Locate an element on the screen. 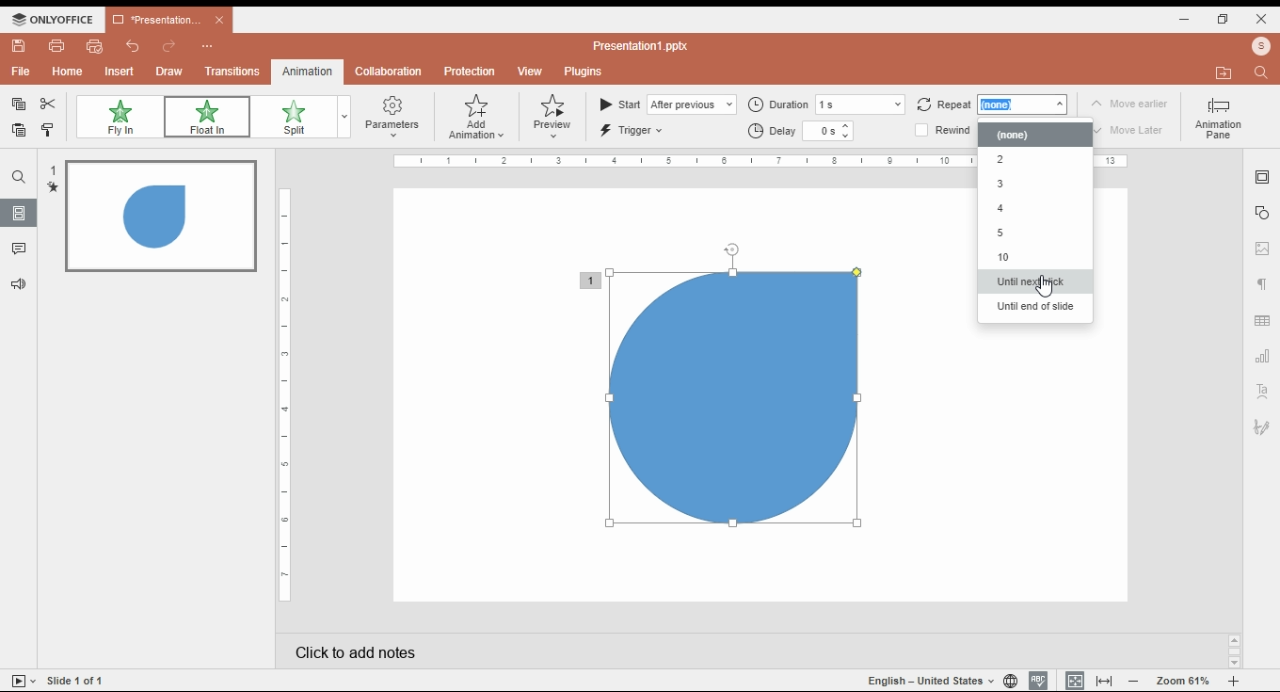  home is located at coordinates (68, 71).